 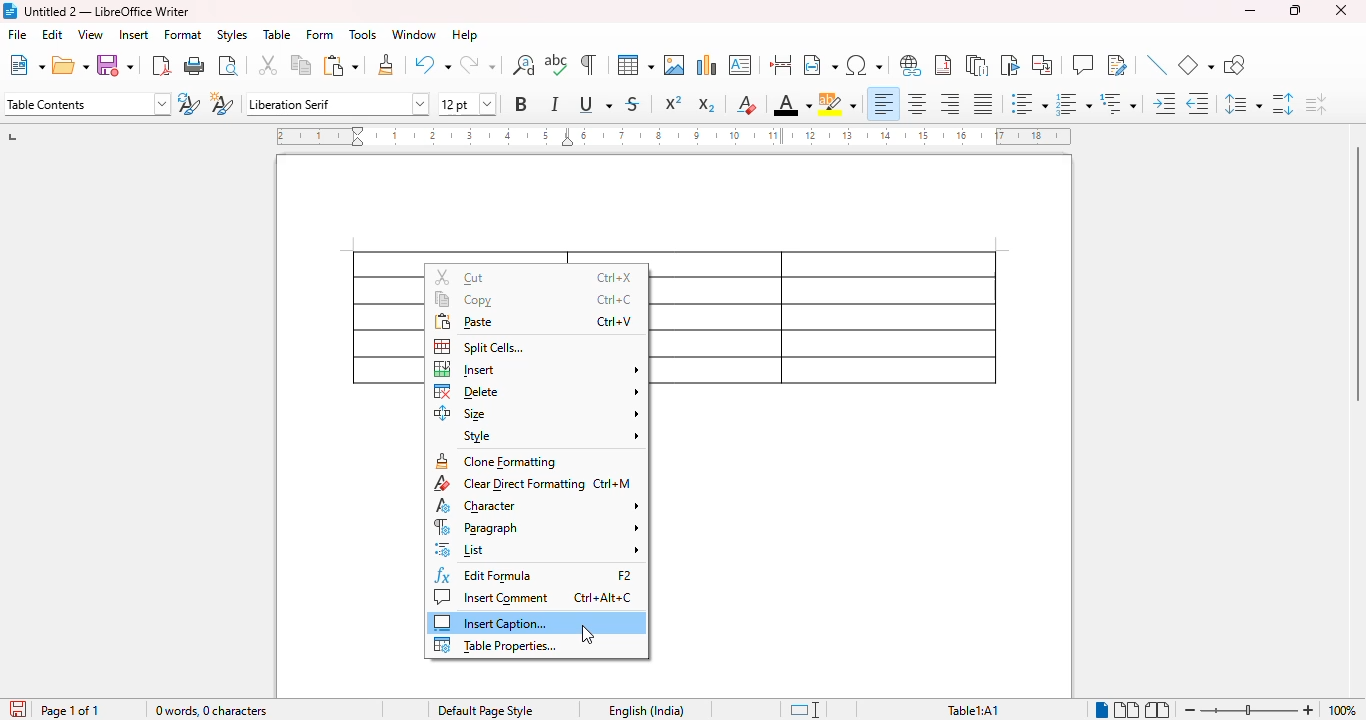 I want to click on word and character count, so click(x=212, y=710).